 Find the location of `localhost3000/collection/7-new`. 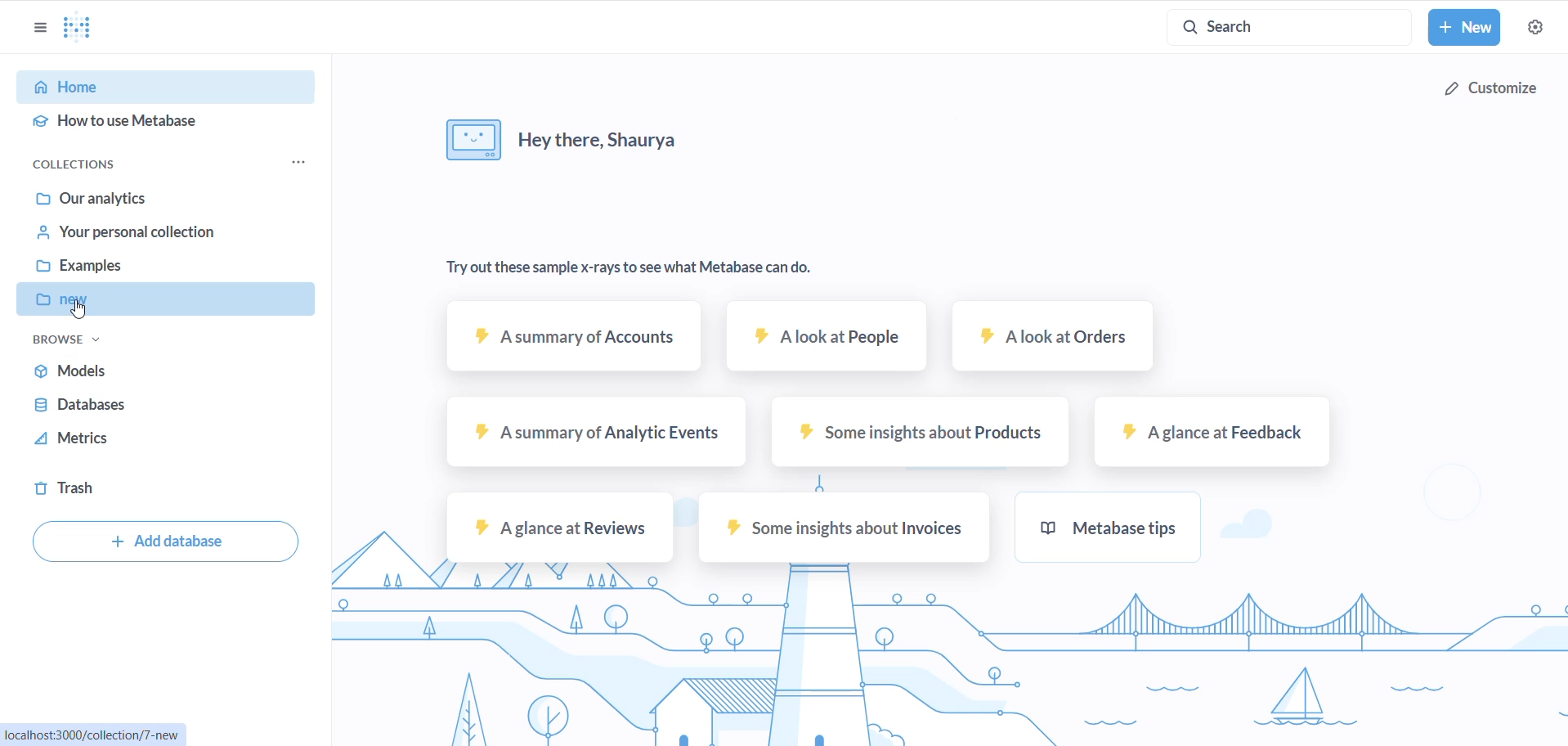

localhost3000/collection/7-new is located at coordinates (100, 733).